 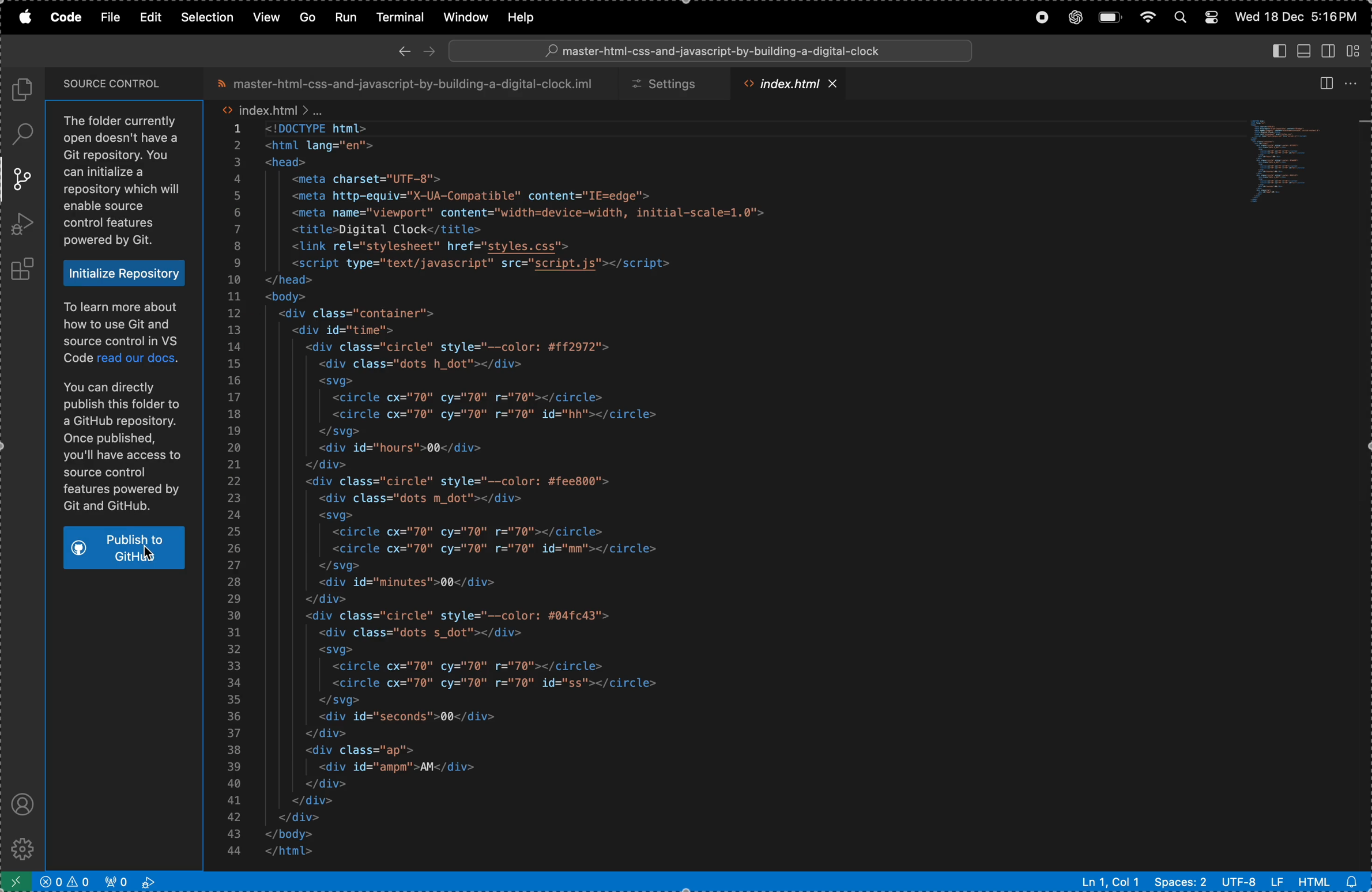 What do you see at coordinates (115, 82) in the screenshot?
I see `source control` at bounding box center [115, 82].